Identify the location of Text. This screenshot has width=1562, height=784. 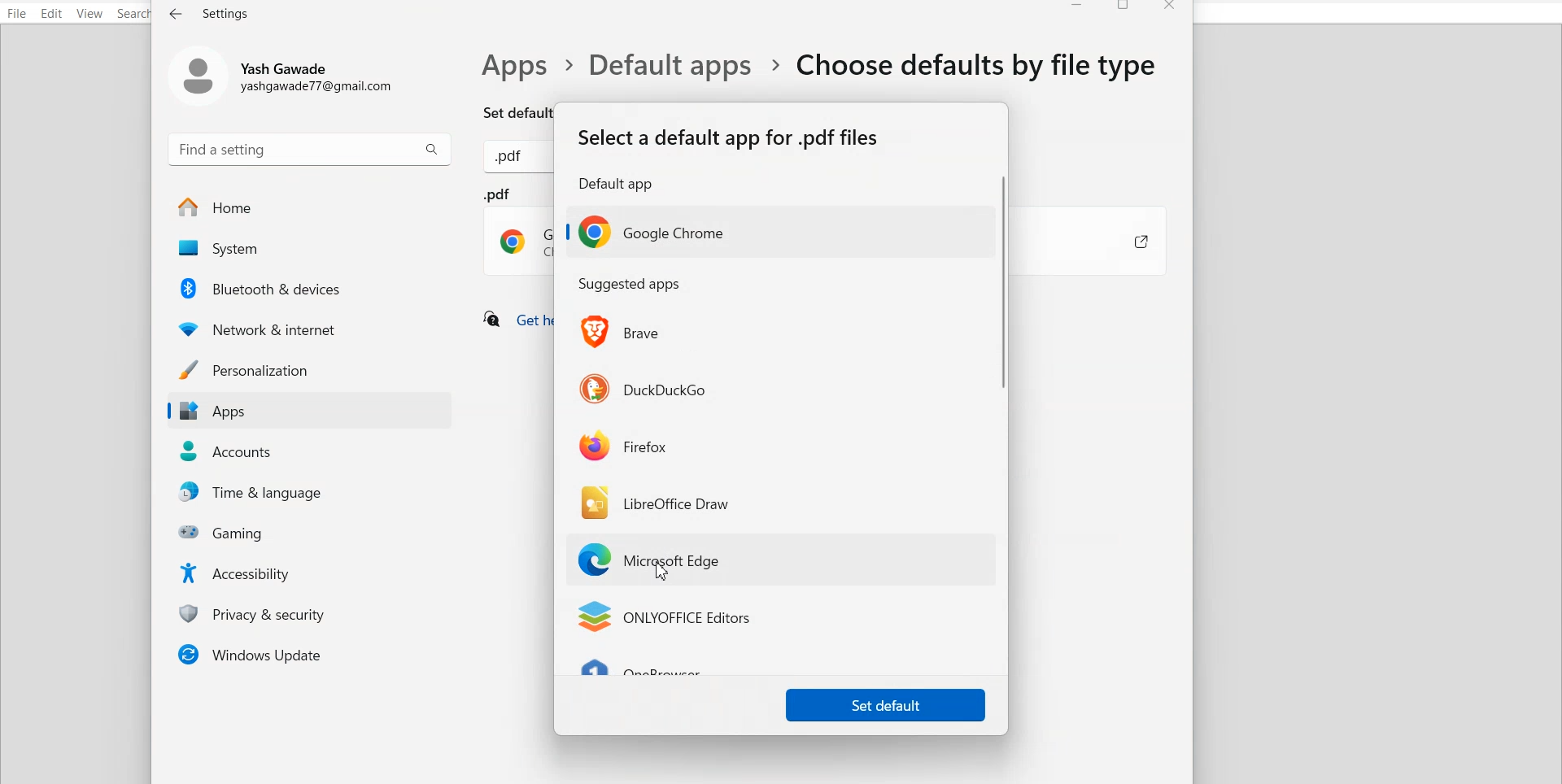
(512, 159).